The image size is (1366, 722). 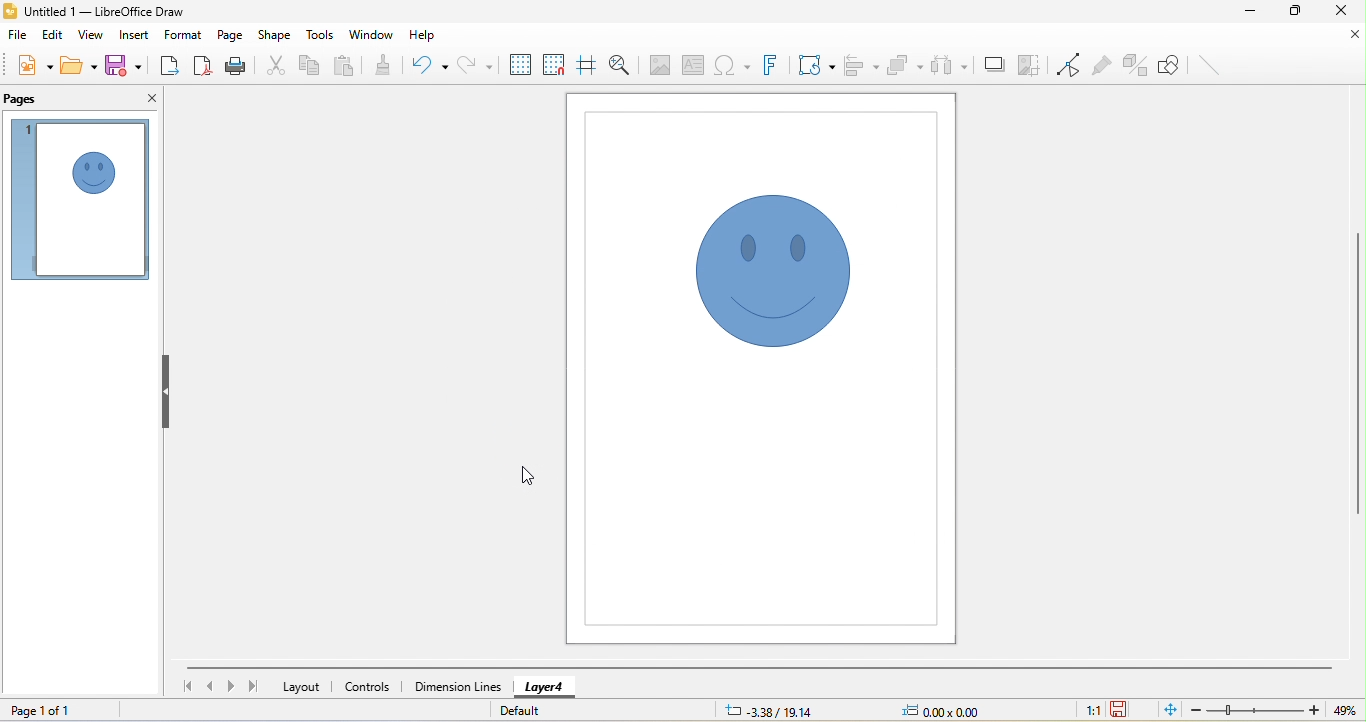 I want to click on helpline while moving, so click(x=586, y=65).